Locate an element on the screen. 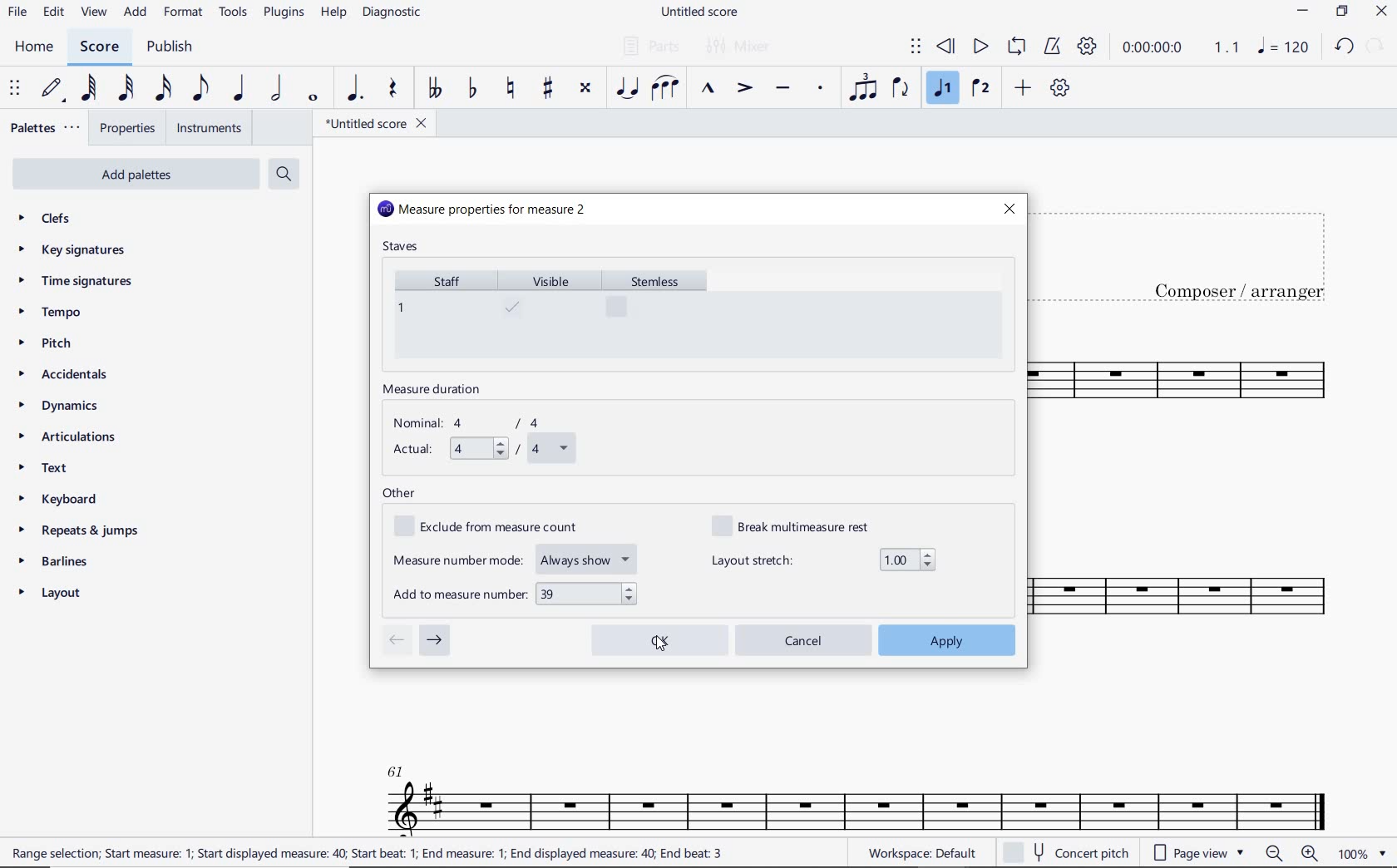  STACCATO is located at coordinates (820, 89).